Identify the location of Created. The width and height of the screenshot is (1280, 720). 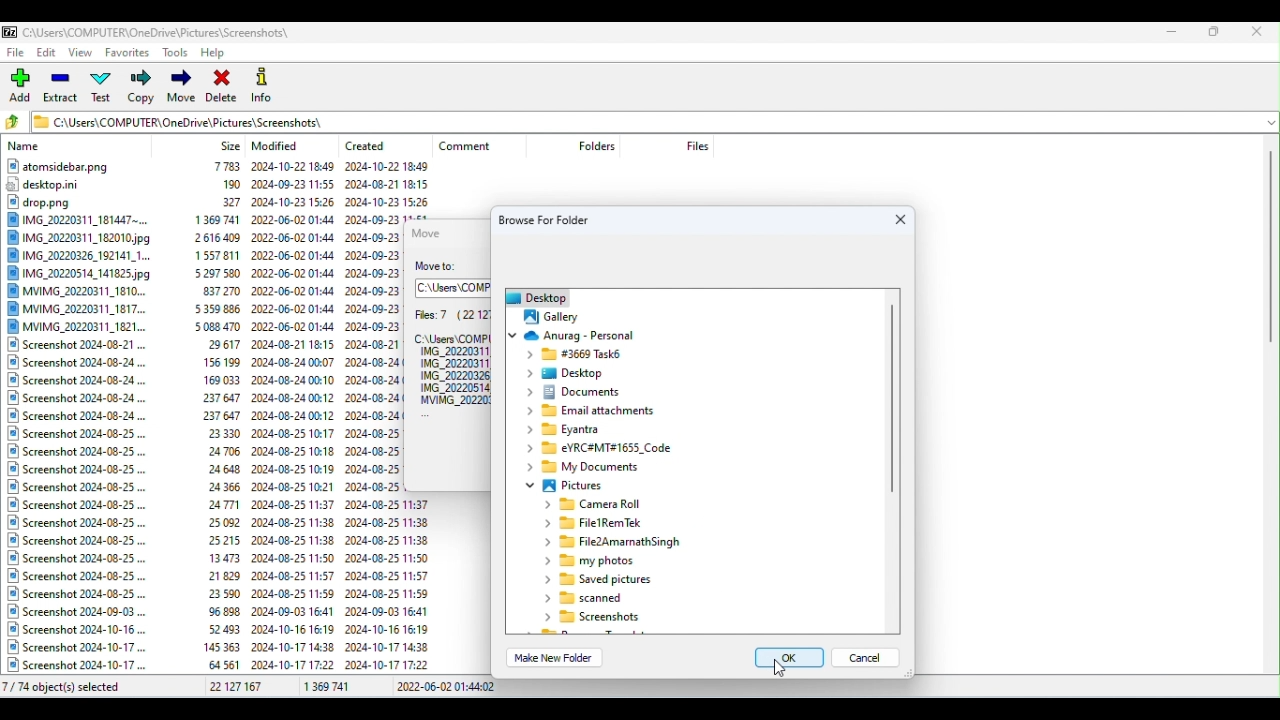
(372, 142).